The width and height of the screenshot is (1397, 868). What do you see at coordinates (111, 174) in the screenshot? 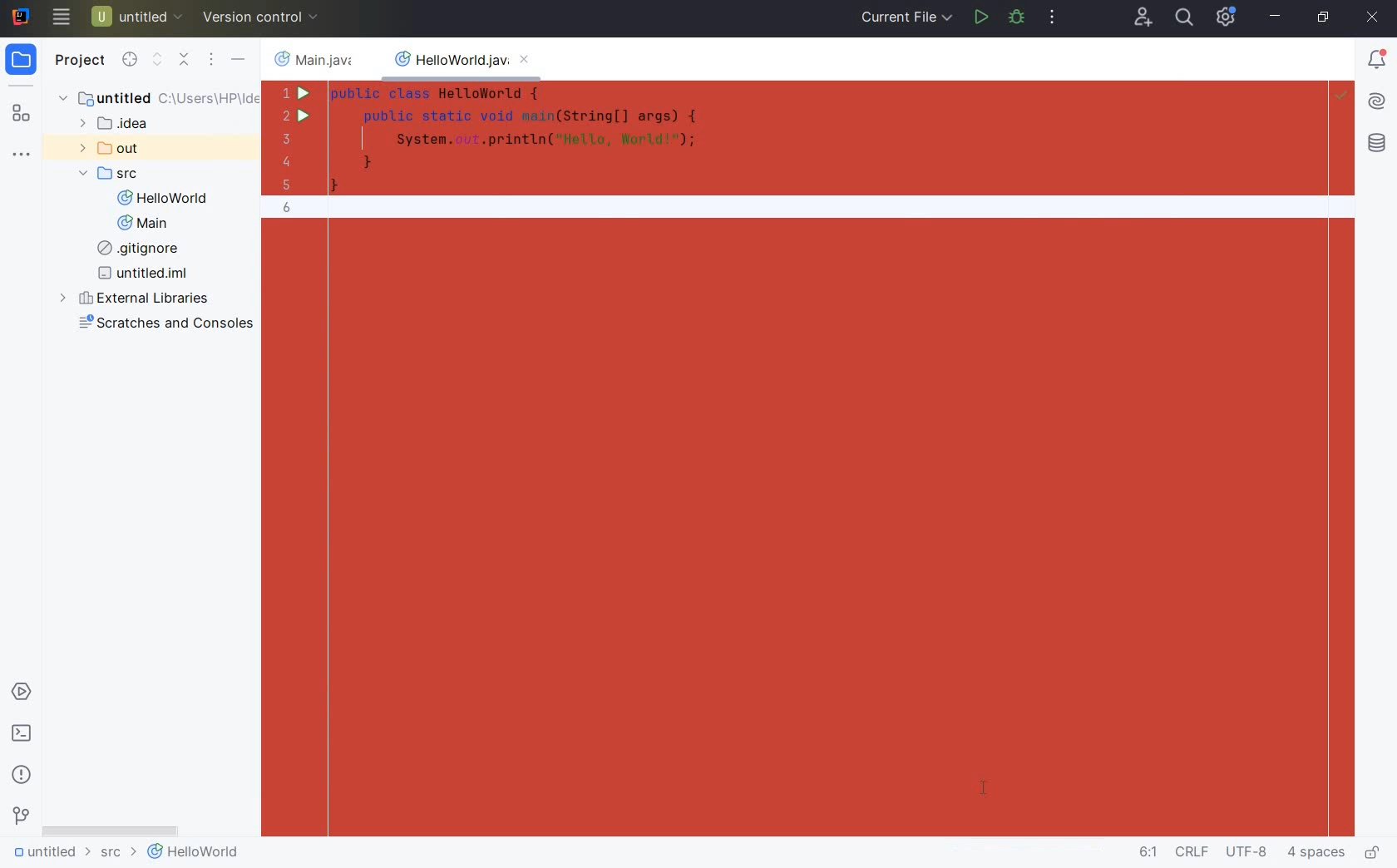
I see `SRC` at bounding box center [111, 174].